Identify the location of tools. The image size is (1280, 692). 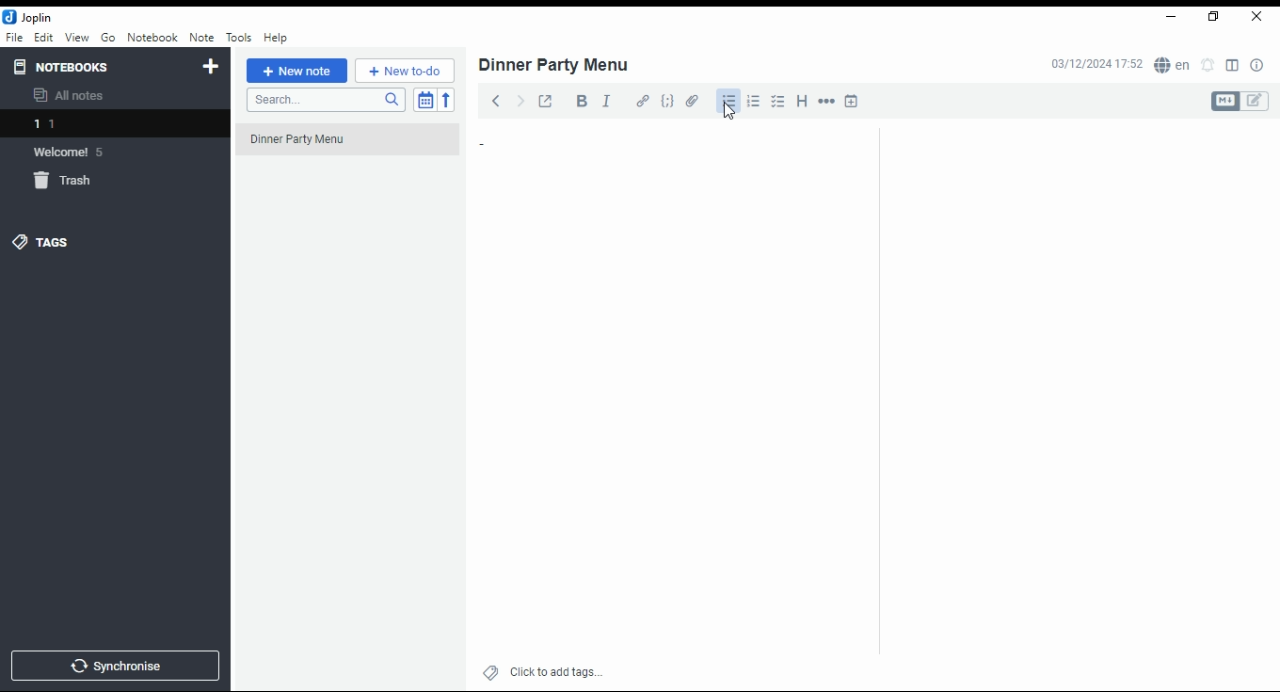
(238, 36).